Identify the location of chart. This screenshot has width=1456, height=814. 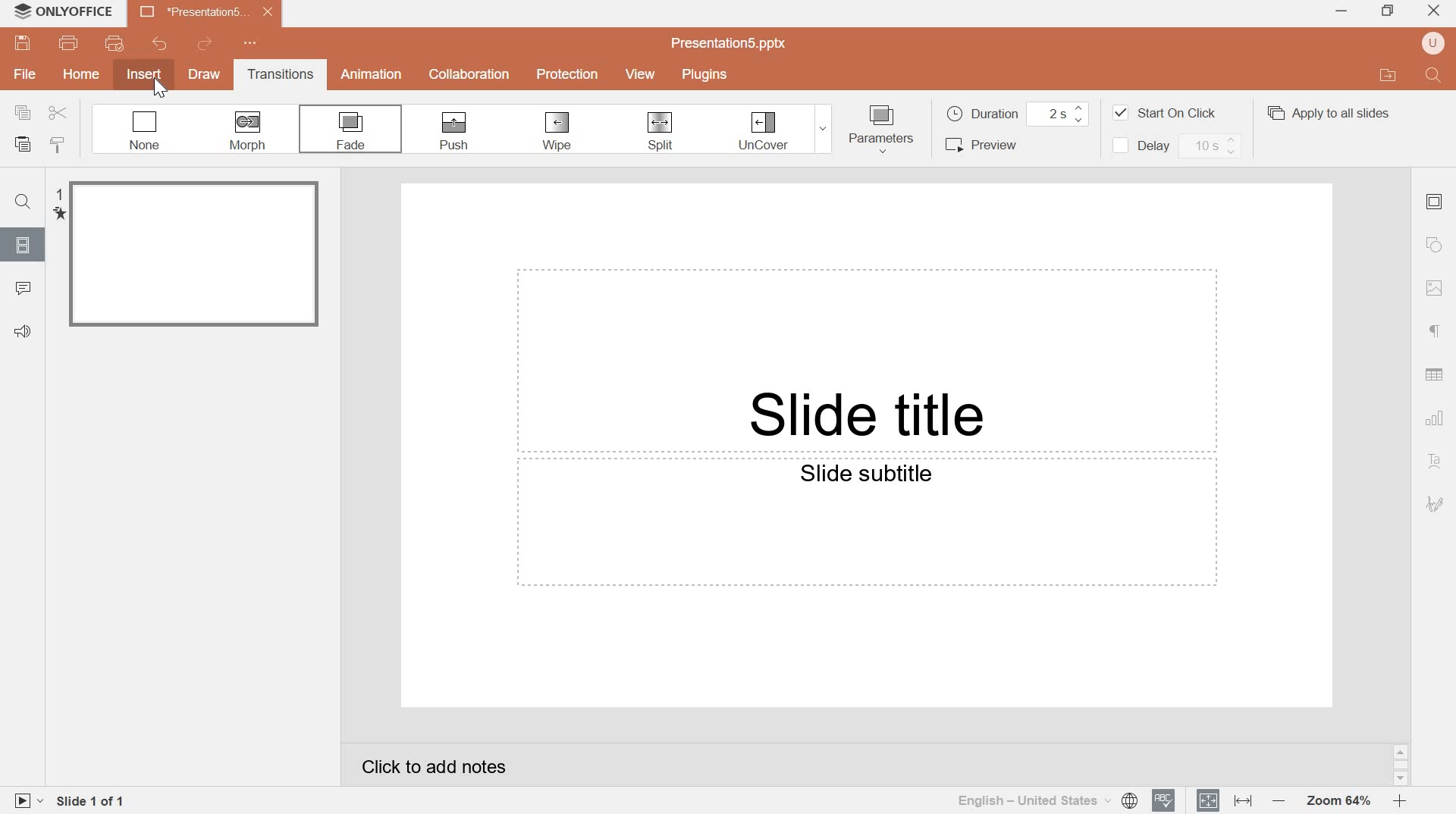
(1436, 418).